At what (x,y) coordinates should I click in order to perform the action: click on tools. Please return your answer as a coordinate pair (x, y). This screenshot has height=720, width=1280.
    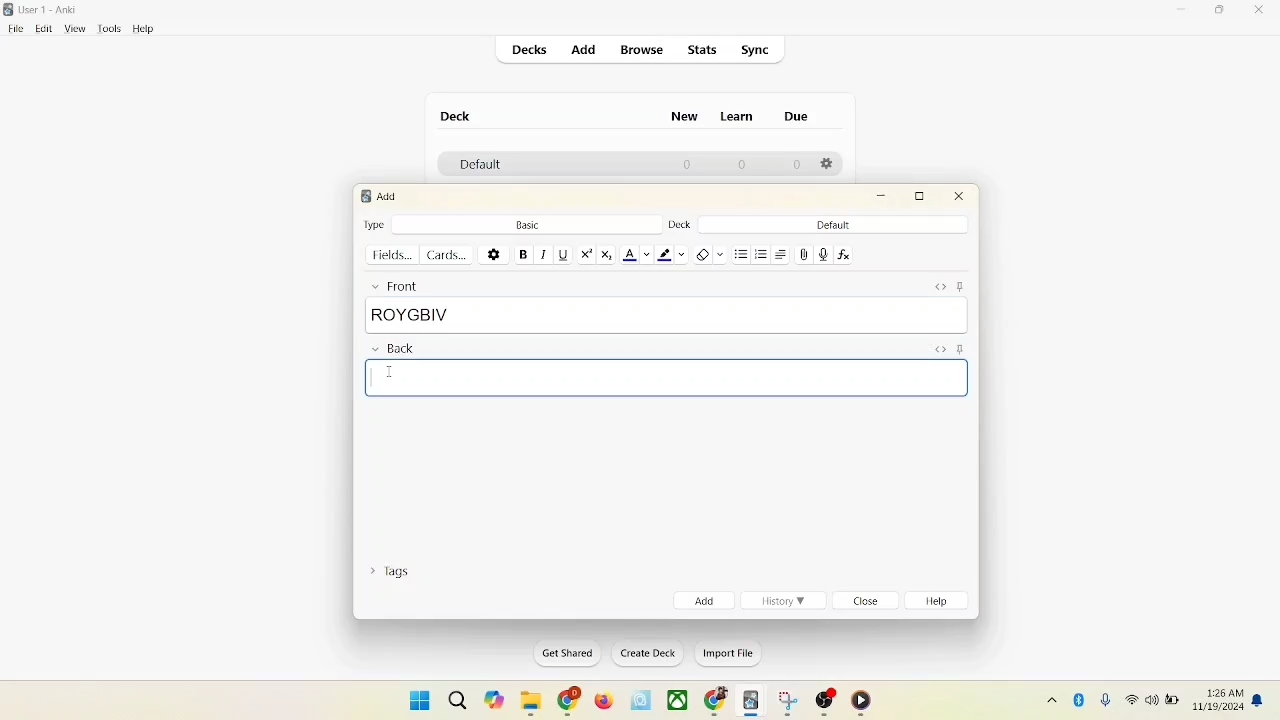
    Looking at the image, I should click on (109, 29).